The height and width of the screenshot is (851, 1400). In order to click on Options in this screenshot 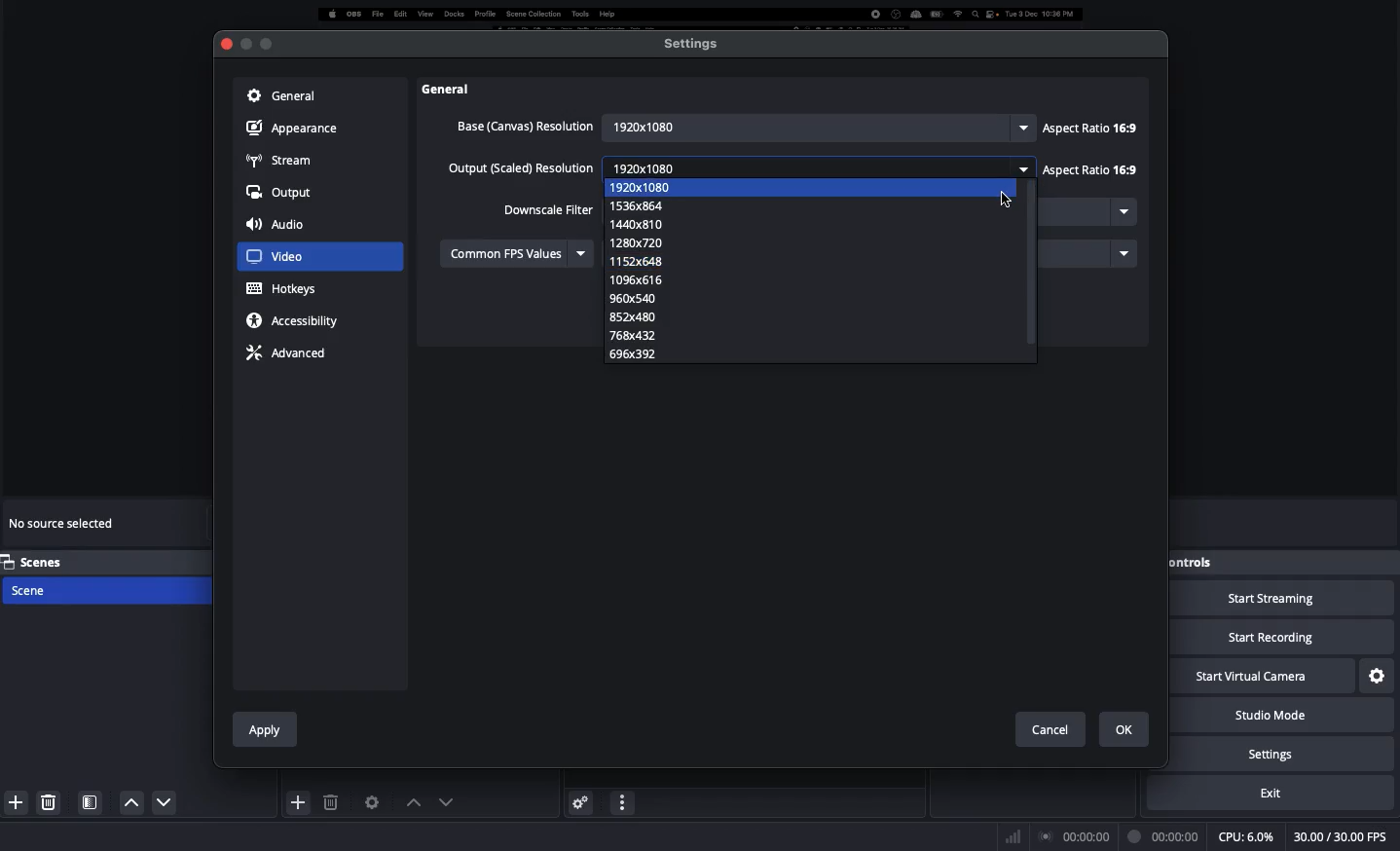, I will do `click(623, 800)`.